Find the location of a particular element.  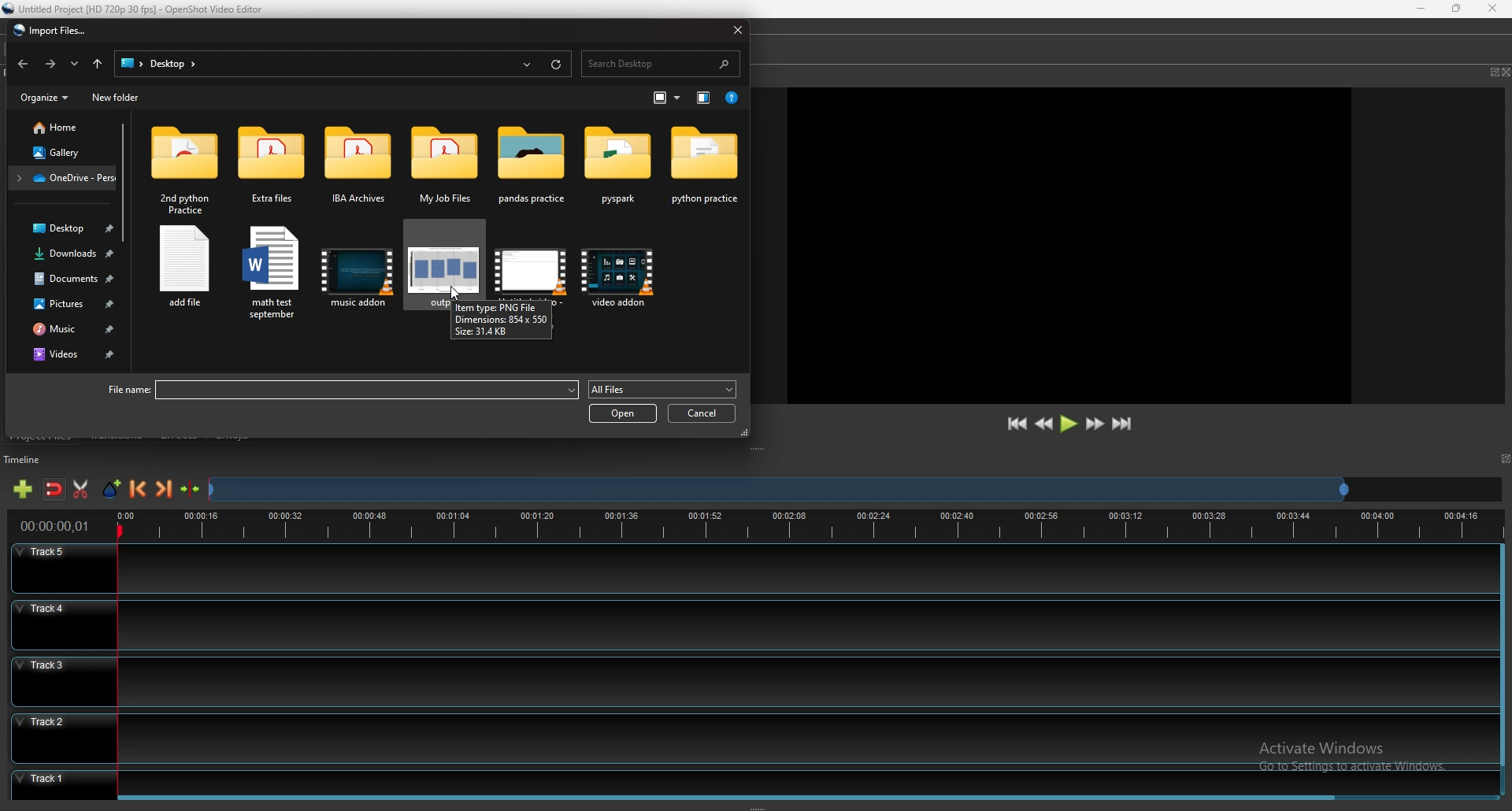

effects is located at coordinates (180, 435).